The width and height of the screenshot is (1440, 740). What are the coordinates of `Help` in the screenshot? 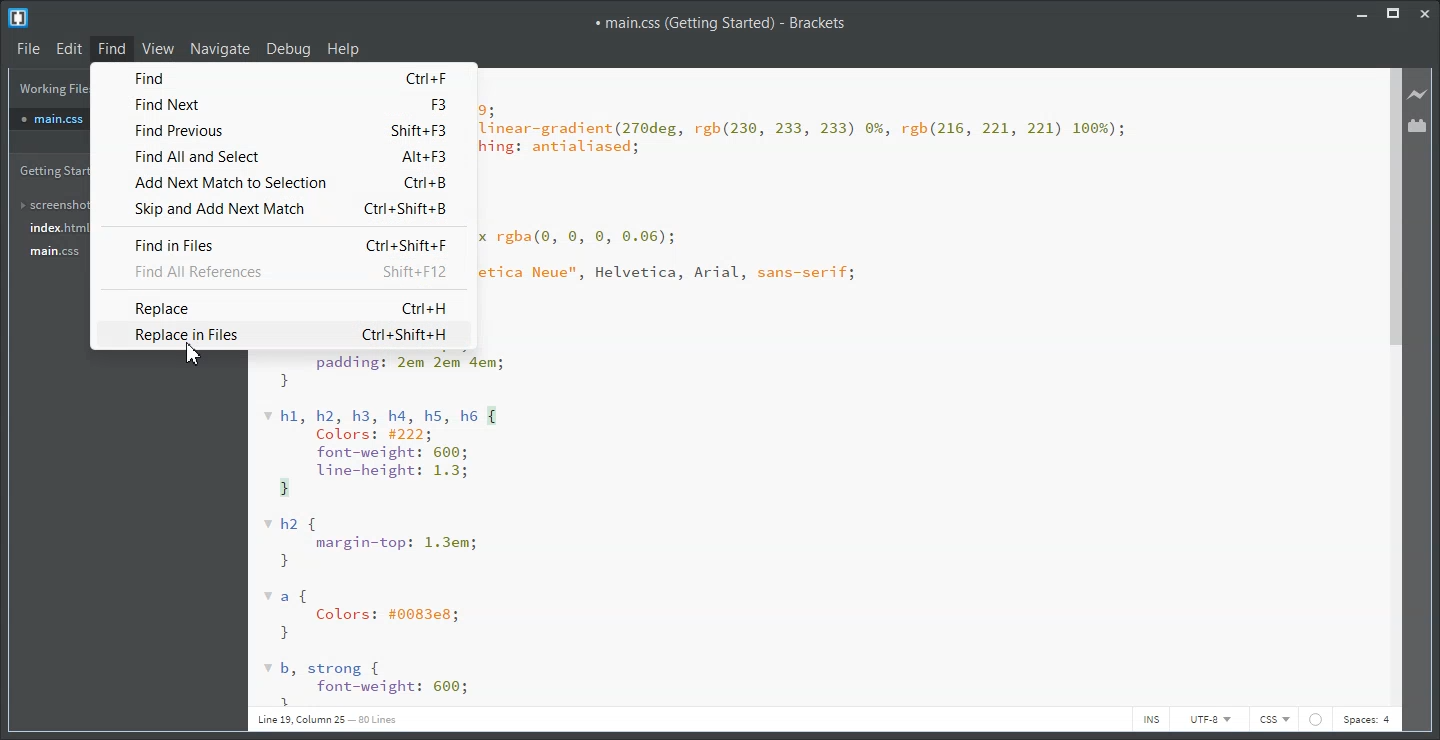 It's located at (344, 48).